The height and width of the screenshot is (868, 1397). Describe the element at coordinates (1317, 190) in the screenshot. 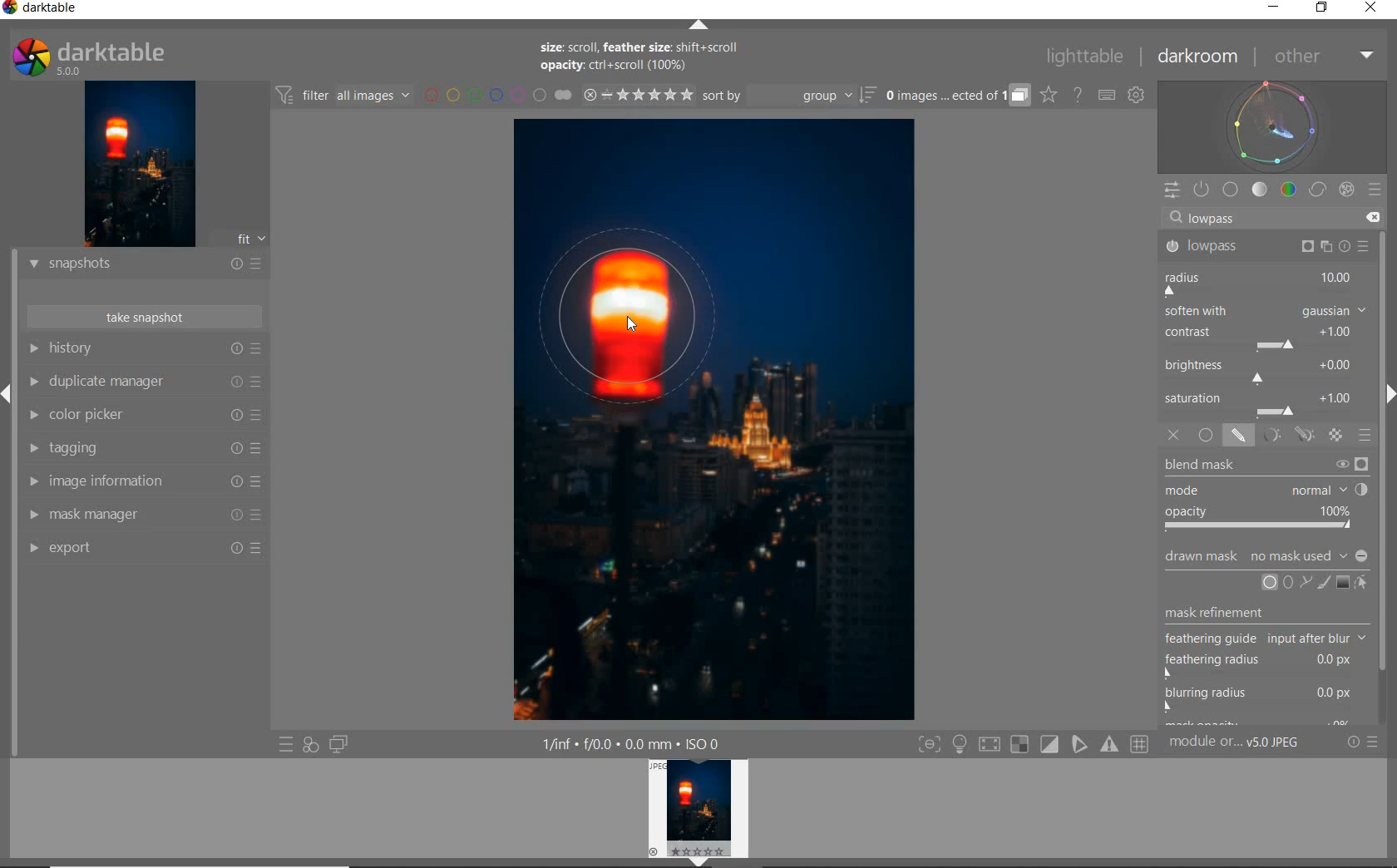

I see `CORRECT` at that location.